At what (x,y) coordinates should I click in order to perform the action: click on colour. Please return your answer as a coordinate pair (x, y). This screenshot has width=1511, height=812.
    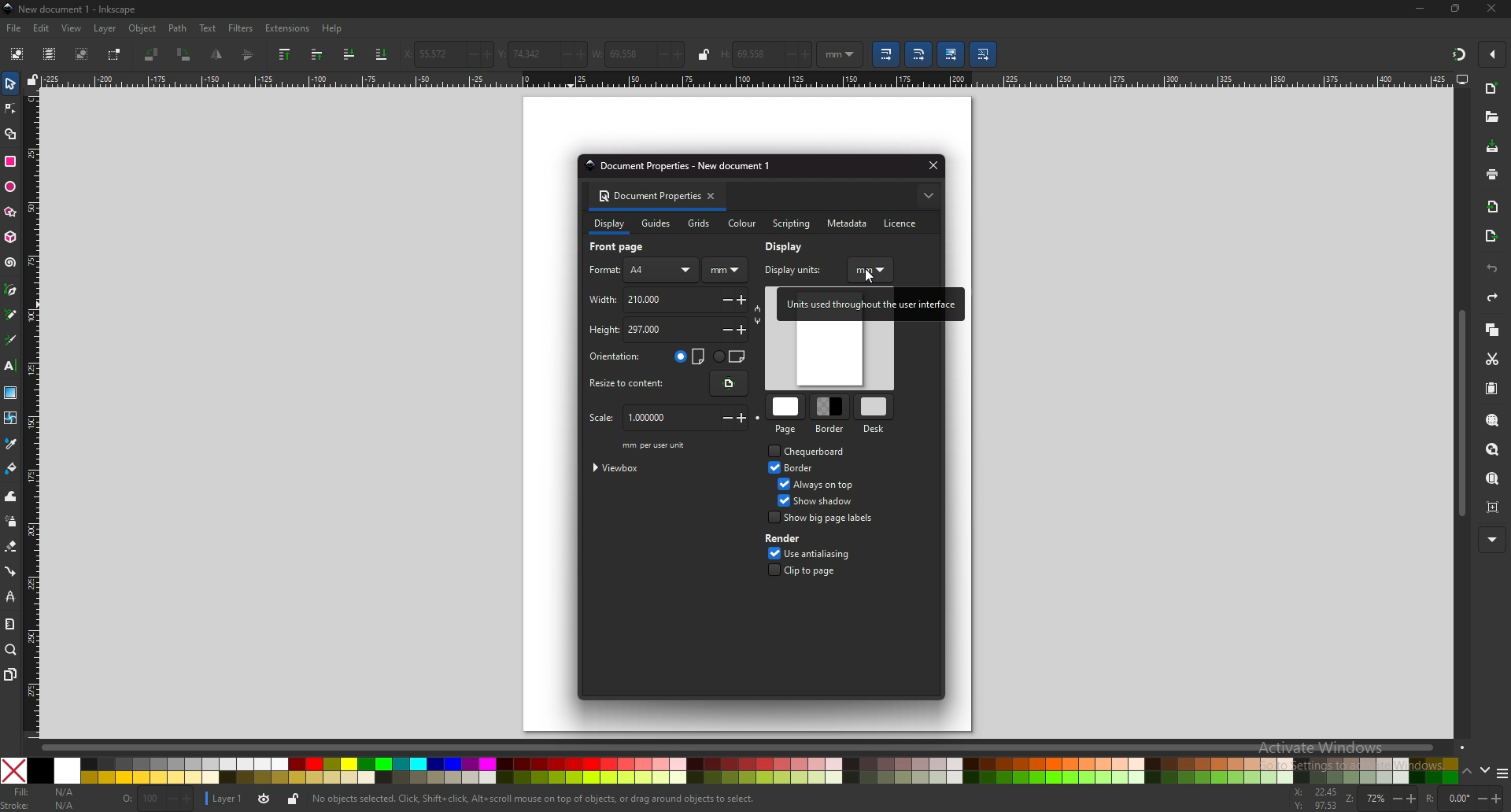
    Looking at the image, I should click on (741, 224).